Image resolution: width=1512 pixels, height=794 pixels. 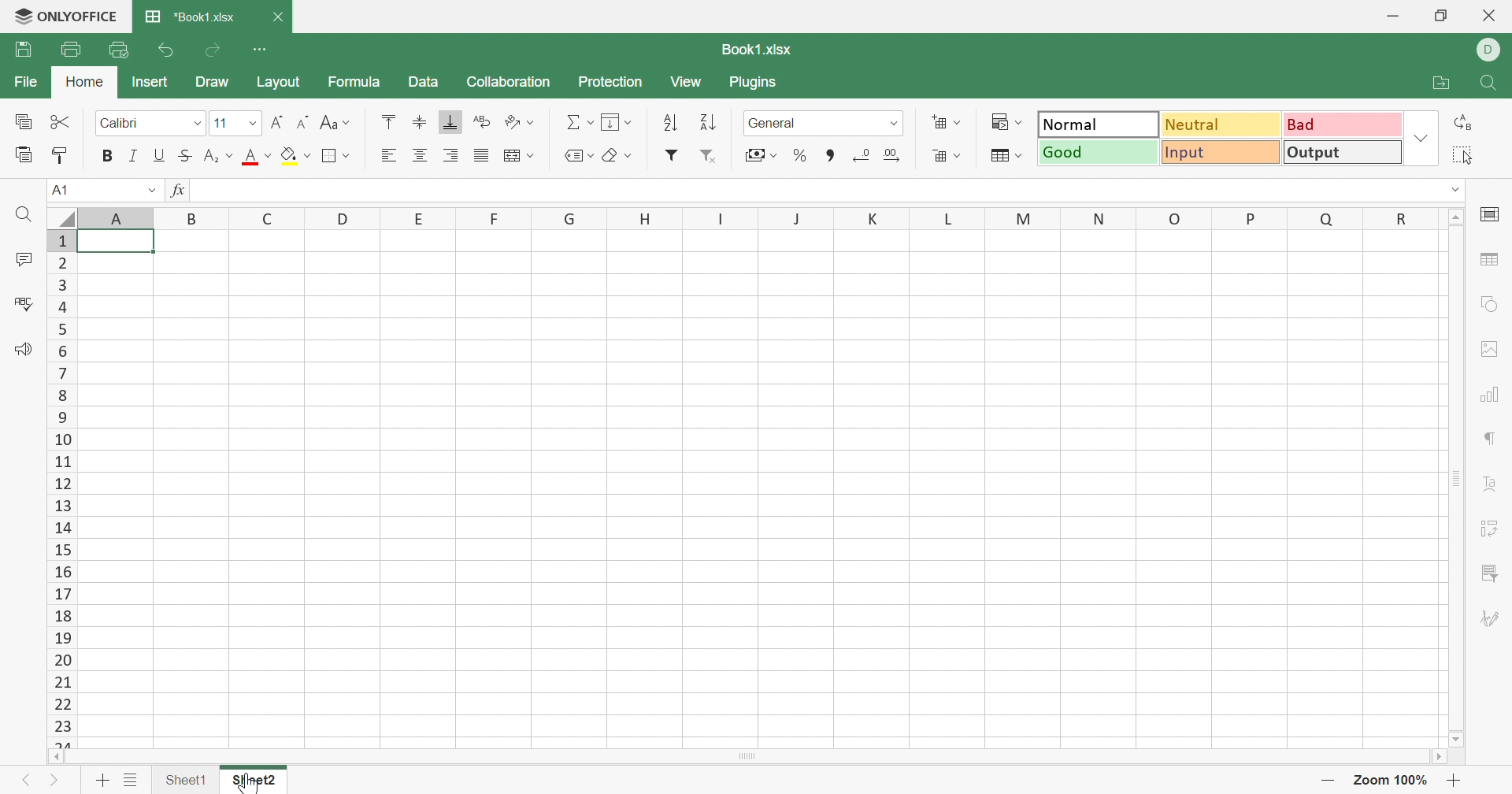 I want to click on +, so click(x=1456, y=780).